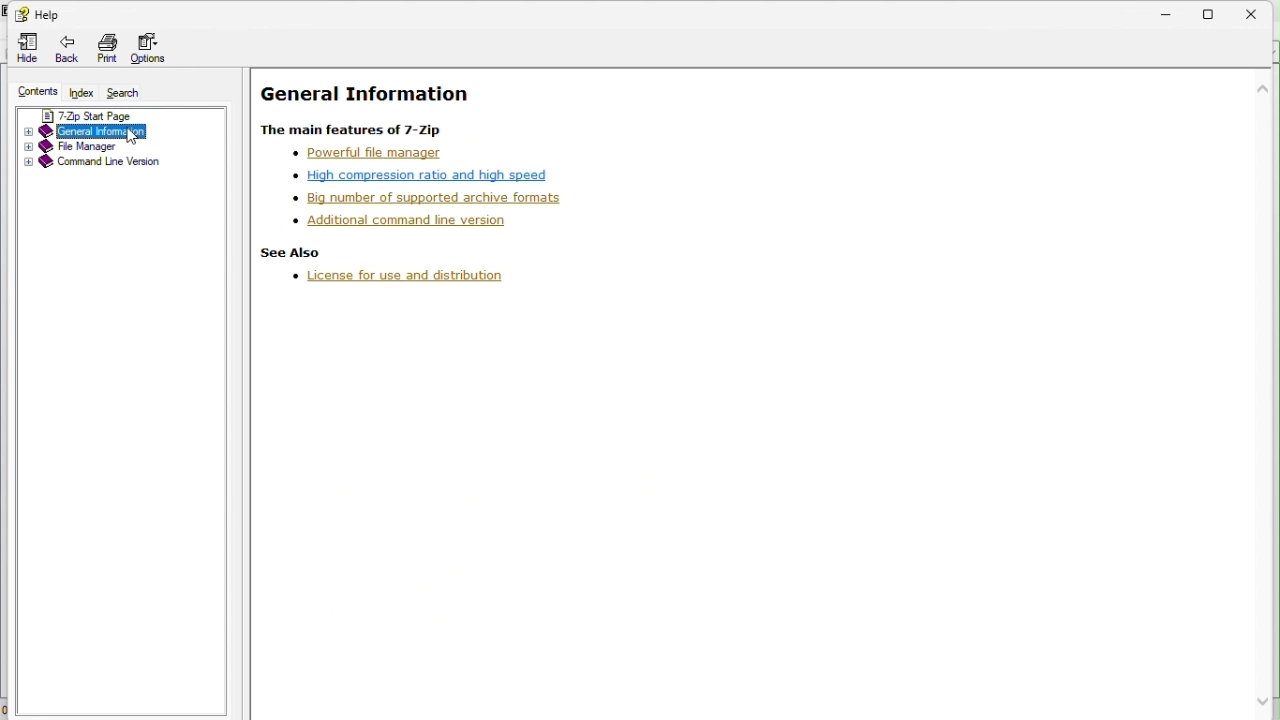 Image resolution: width=1280 pixels, height=720 pixels. Describe the element at coordinates (132, 94) in the screenshot. I see `search` at that location.